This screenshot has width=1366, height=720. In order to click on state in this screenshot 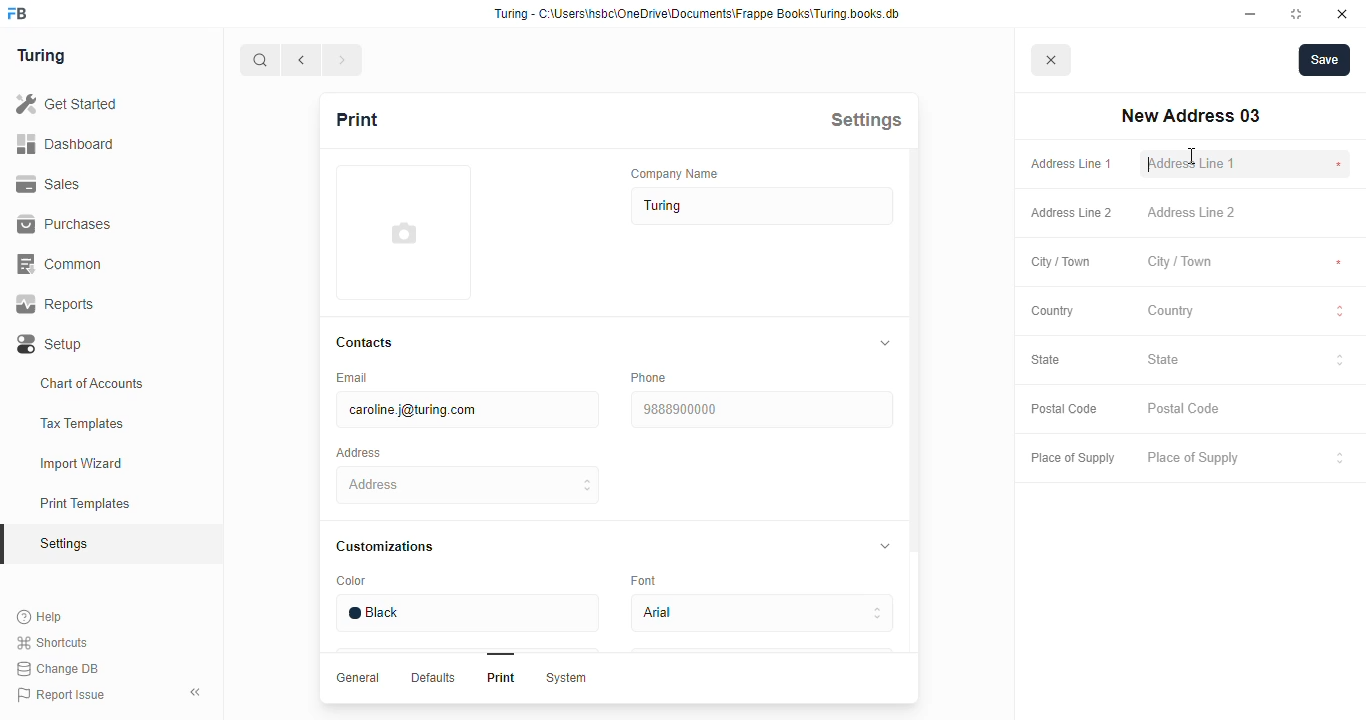, I will do `click(1246, 362)`.